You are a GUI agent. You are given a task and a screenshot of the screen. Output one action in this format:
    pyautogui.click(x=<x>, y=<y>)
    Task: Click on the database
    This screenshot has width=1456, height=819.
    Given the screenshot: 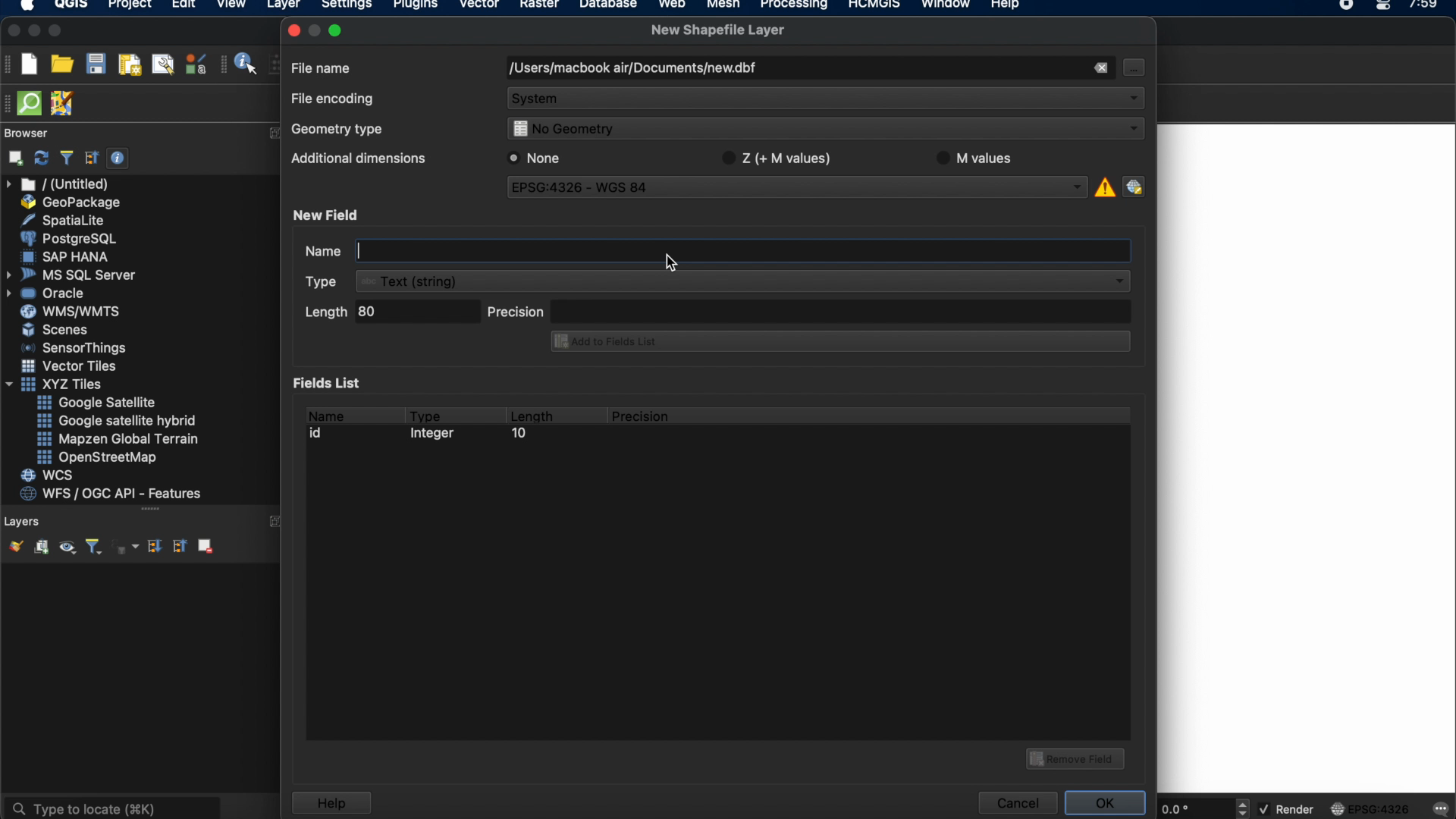 What is the action you would take?
    pyautogui.click(x=607, y=6)
    